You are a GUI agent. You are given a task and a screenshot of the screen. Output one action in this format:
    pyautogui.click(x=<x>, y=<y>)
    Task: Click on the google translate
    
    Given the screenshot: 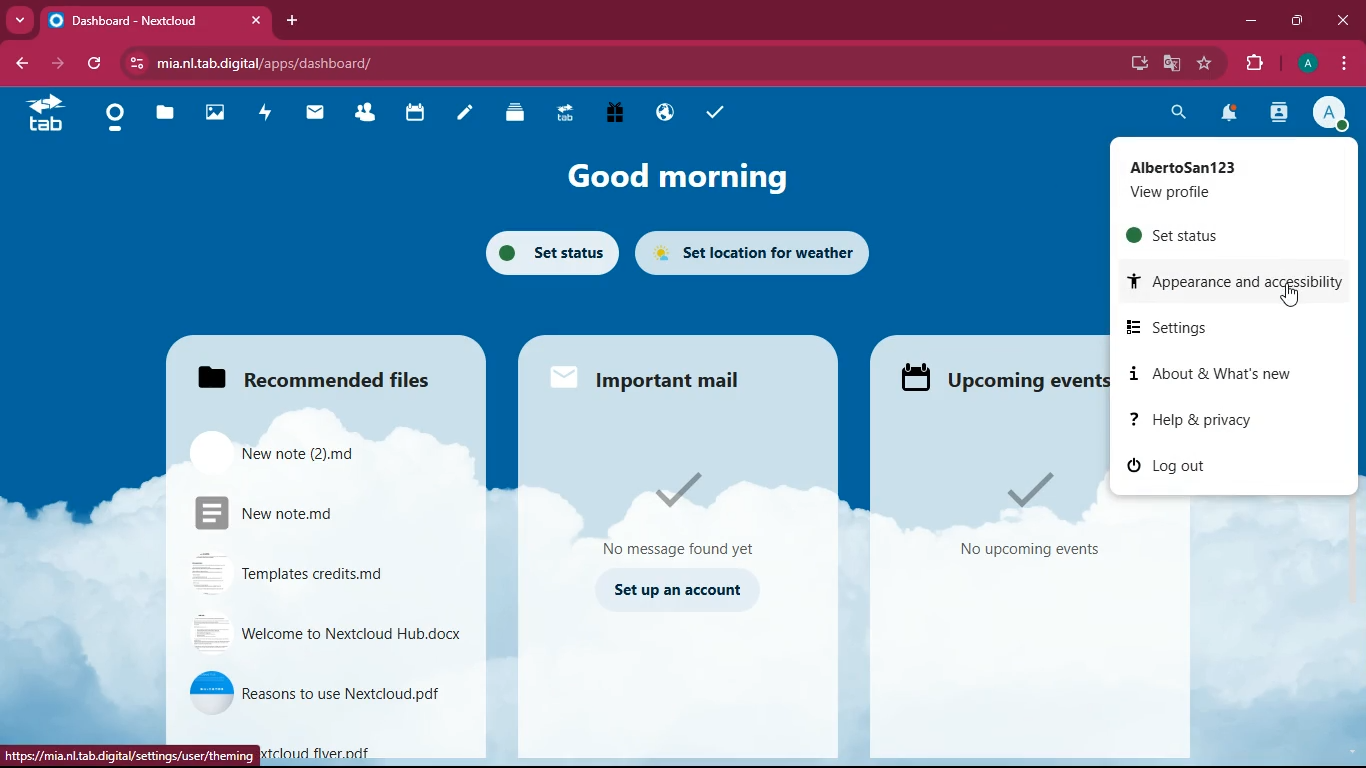 What is the action you would take?
    pyautogui.click(x=1170, y=64)
    